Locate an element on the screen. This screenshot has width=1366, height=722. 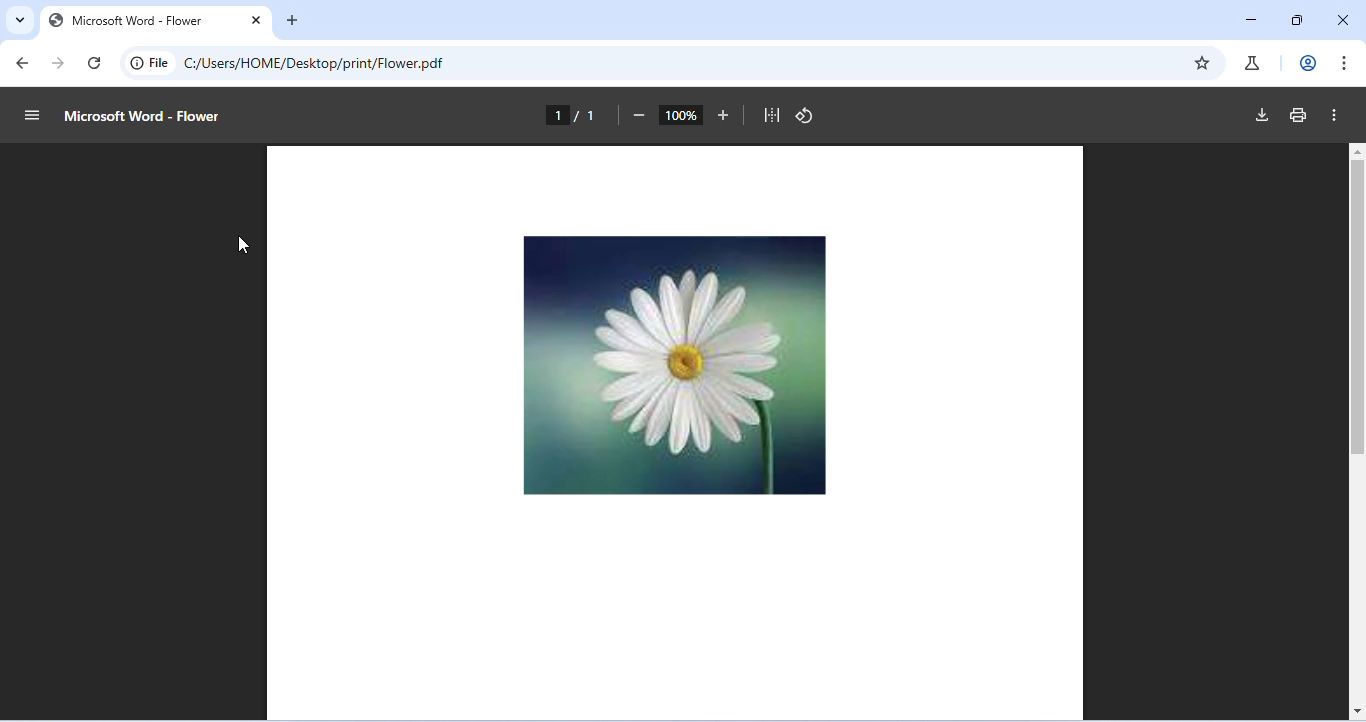
chrome labs is located at coordinates (1254, 66).